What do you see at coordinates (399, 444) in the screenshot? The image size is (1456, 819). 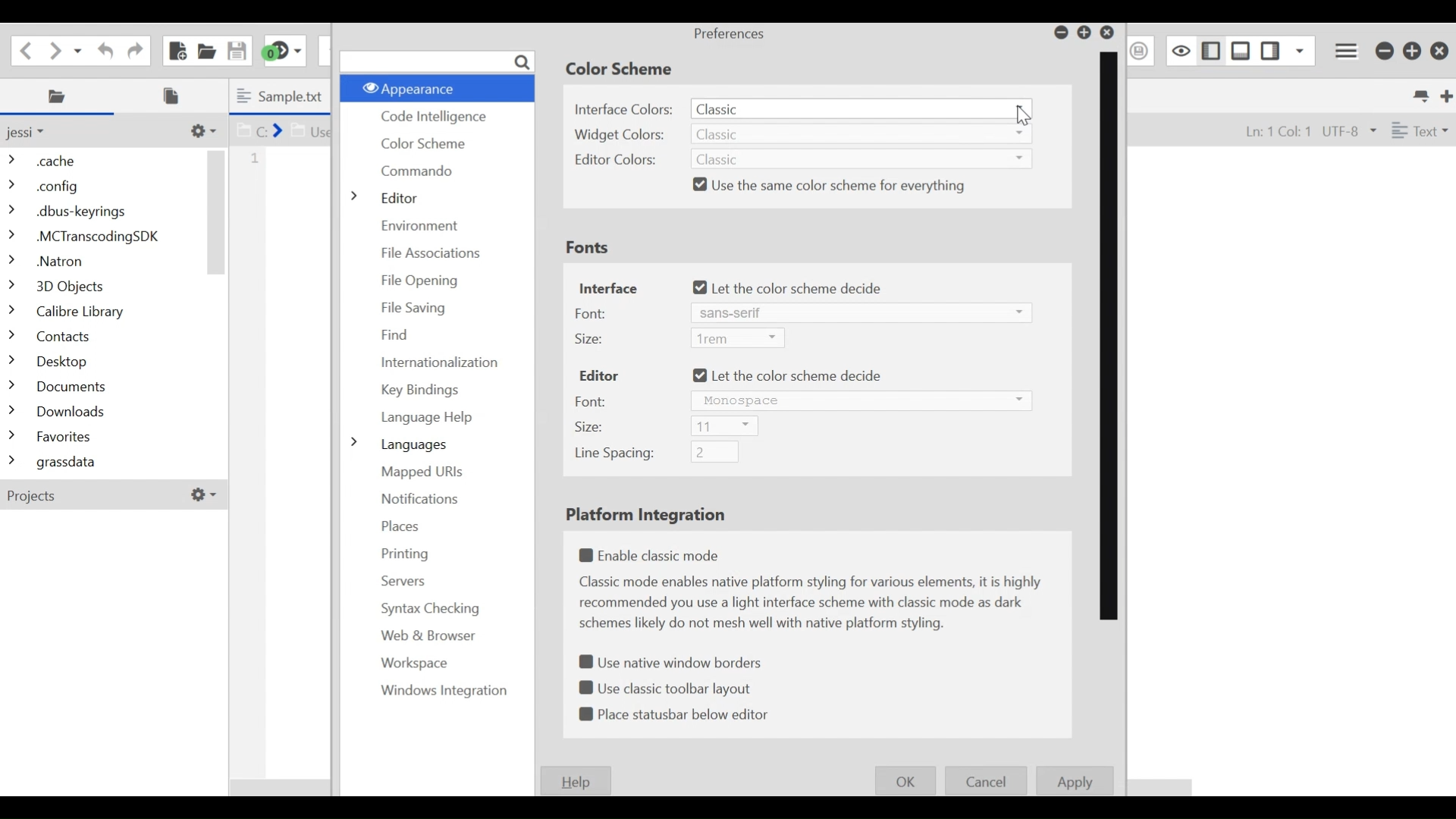 I see `Languages` at bounding box center [399, 444].